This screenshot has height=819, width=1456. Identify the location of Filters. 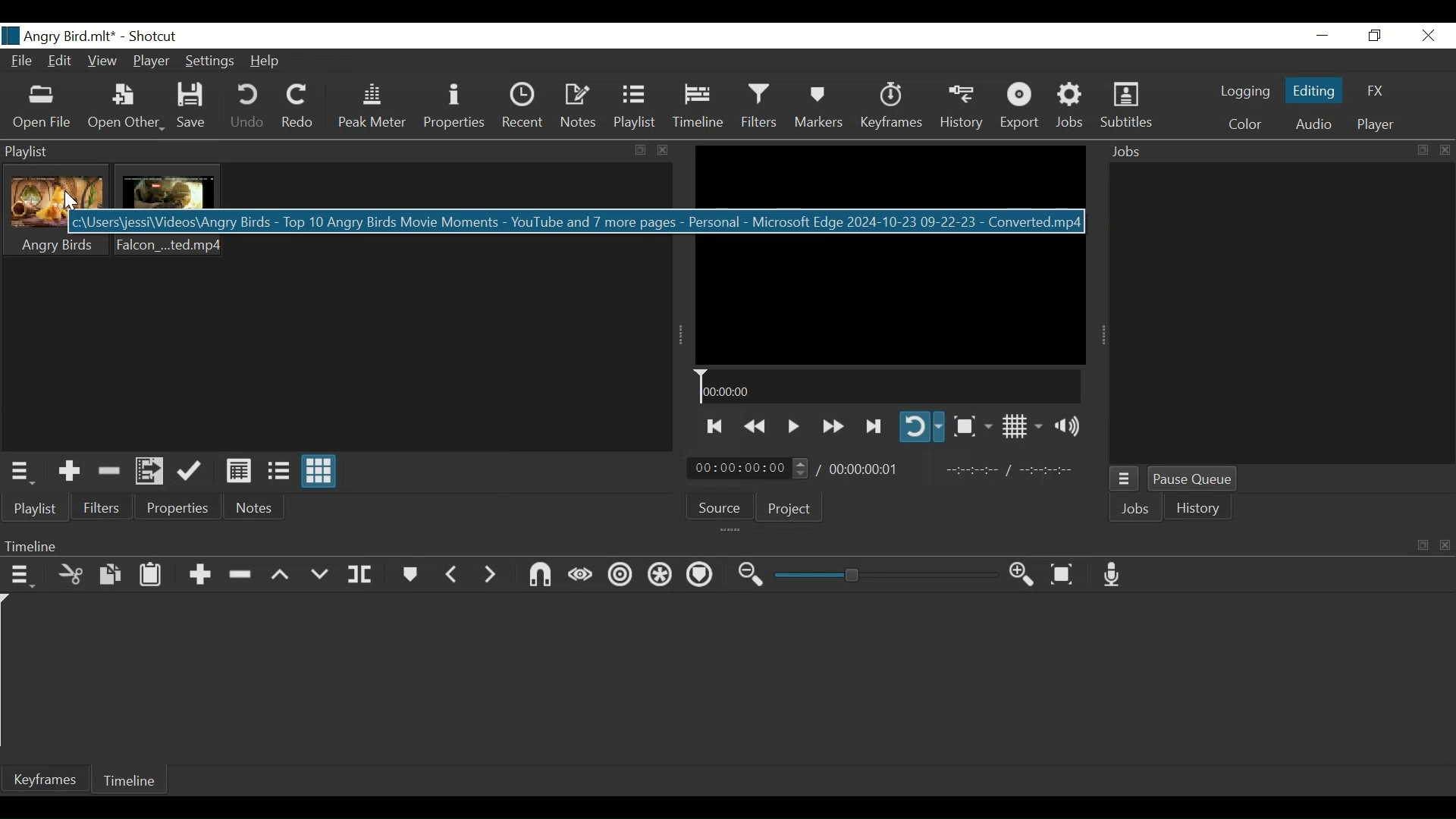
(757, 108).